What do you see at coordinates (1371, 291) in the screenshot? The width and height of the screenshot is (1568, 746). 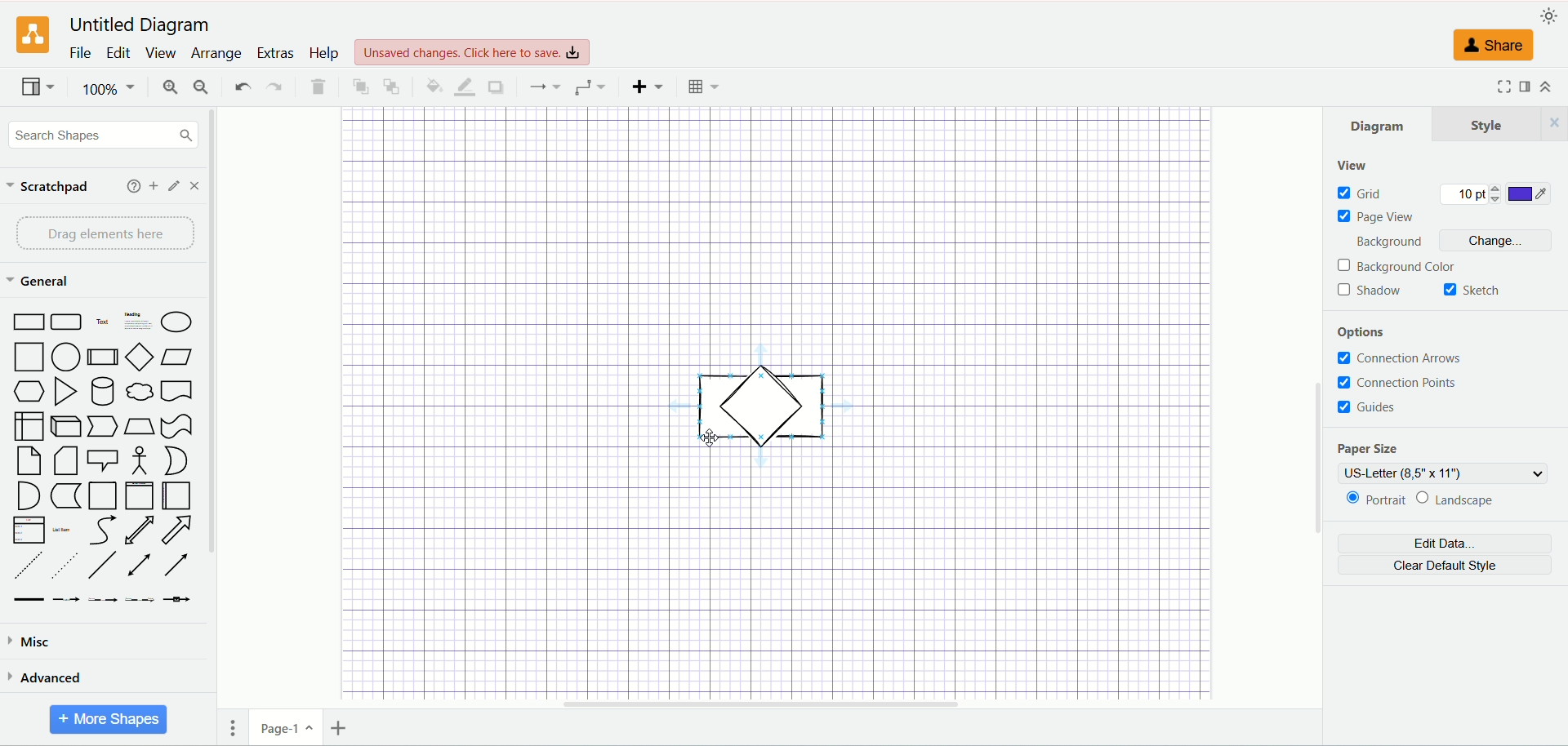 I see `shadow` at bounding box center [1371, 291].